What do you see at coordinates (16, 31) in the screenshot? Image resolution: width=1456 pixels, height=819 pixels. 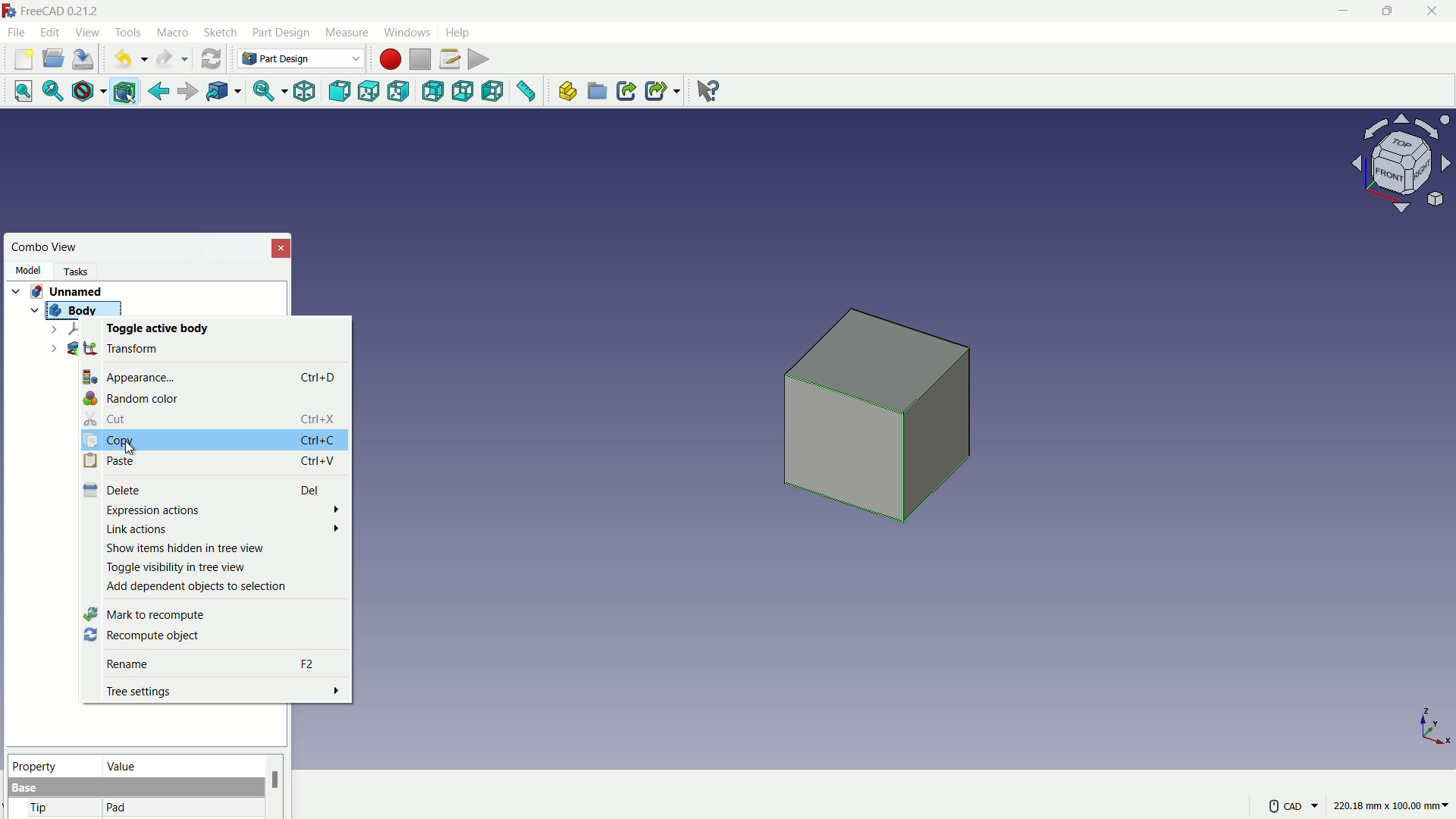 I see `file` at bounding box center [16, 31].